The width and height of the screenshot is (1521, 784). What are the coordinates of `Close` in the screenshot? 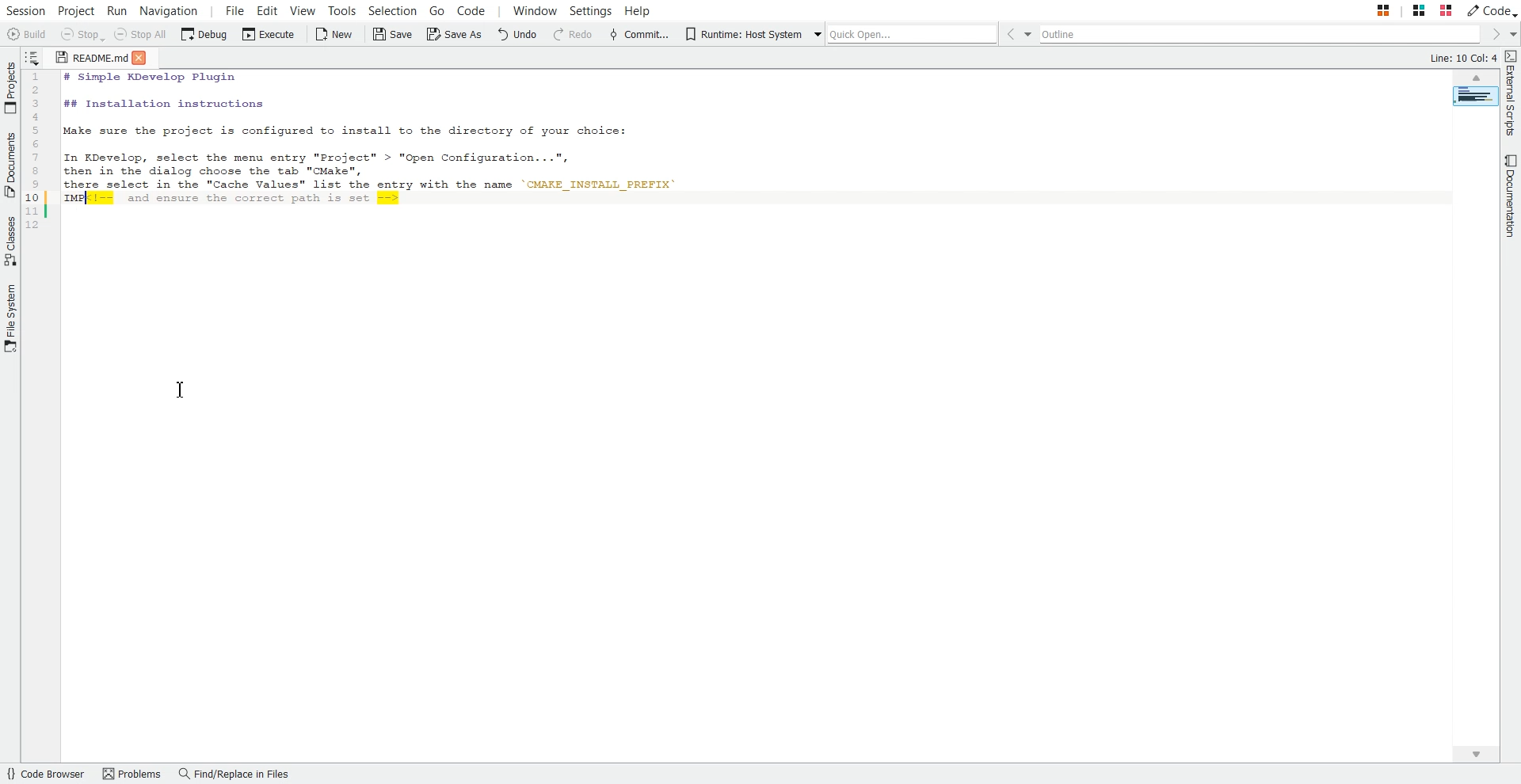 It's located at (143, 59).